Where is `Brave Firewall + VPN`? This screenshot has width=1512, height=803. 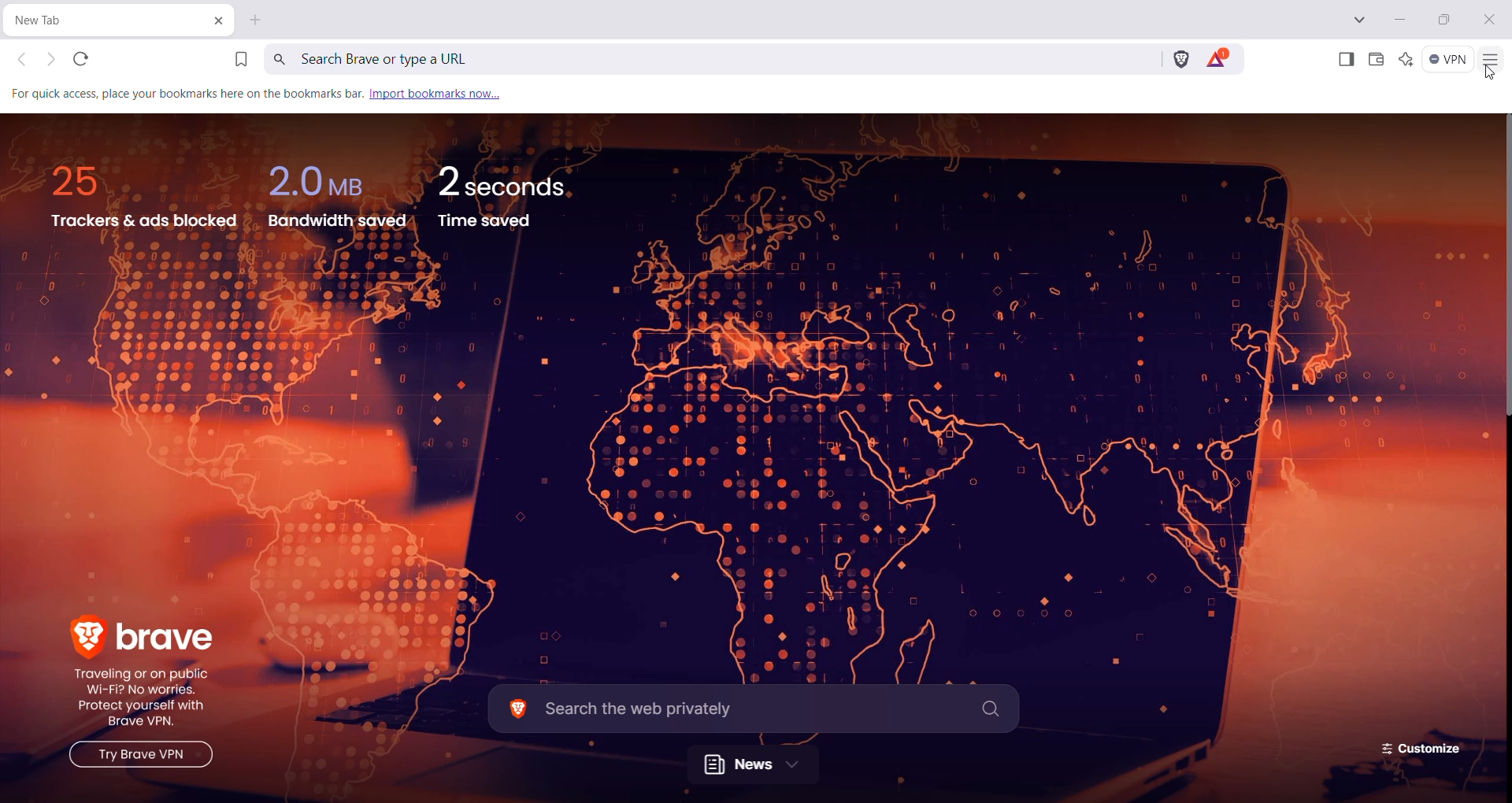 Brave Firewall + VPN is located at coordinates (1447, 59).